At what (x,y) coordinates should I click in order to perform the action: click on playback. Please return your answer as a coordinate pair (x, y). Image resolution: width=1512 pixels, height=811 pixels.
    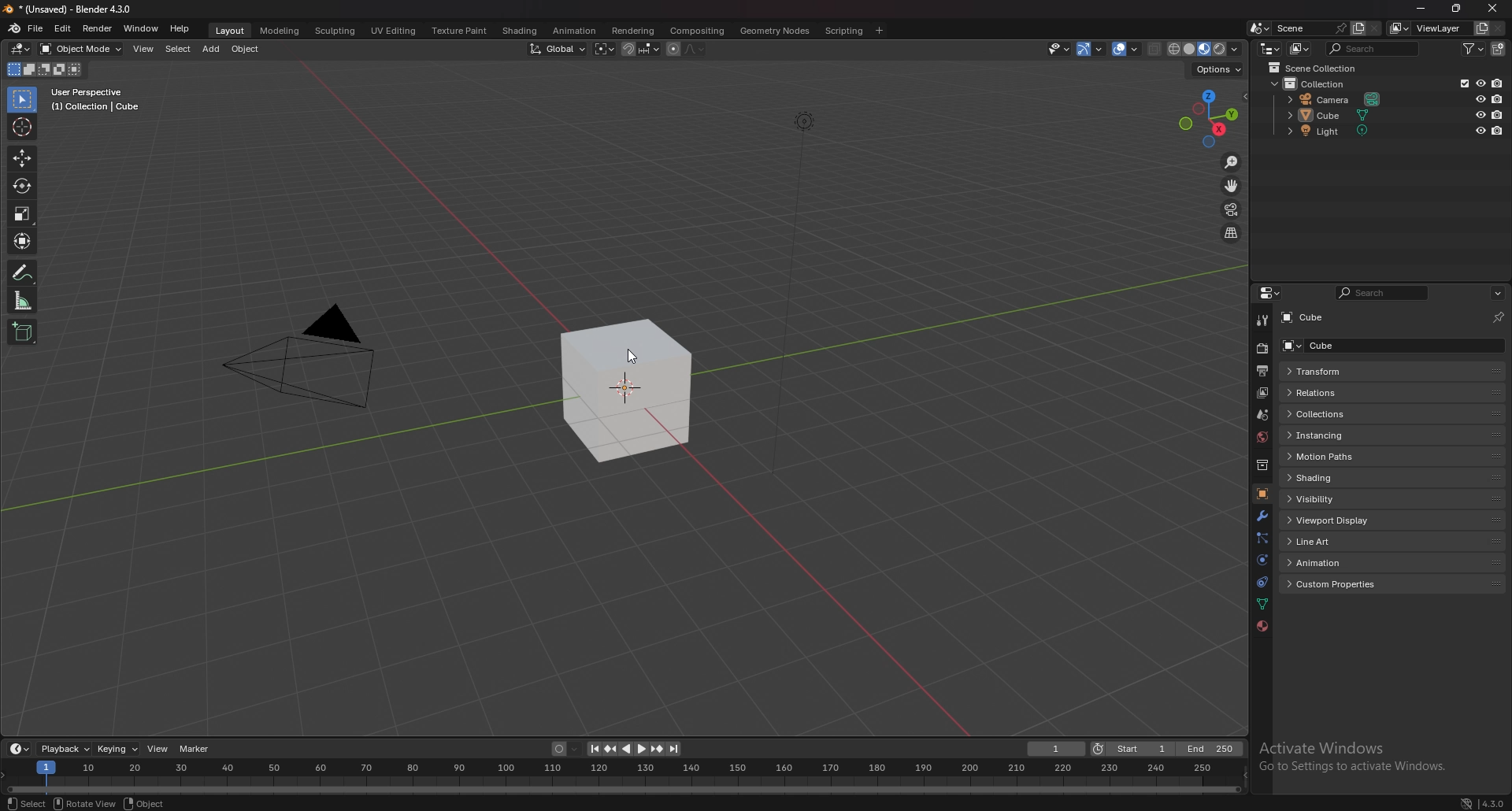
    Looking at the image, I should click on (65, 748).